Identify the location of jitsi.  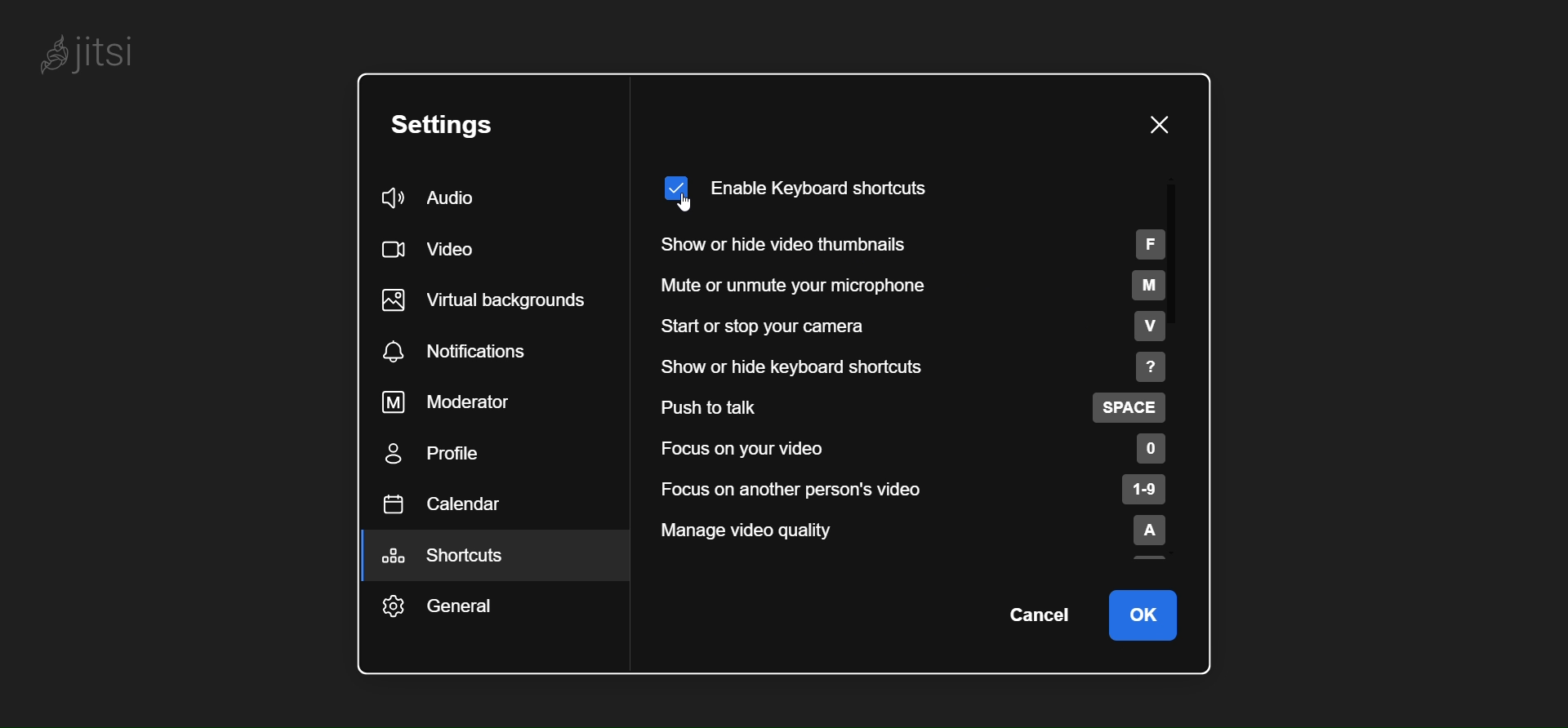
(92, 61).